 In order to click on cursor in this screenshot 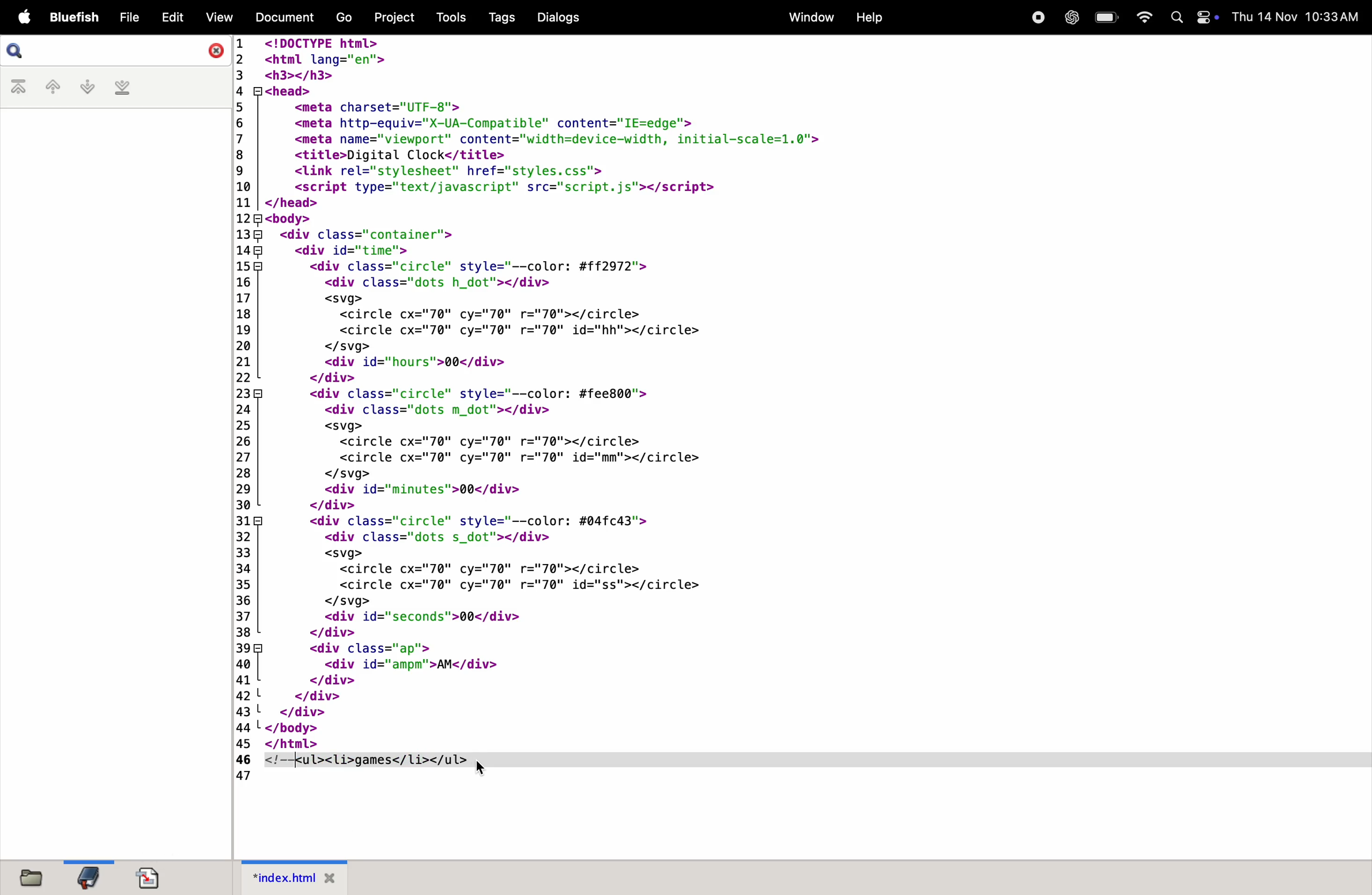, I will do `click(481, 772)`.